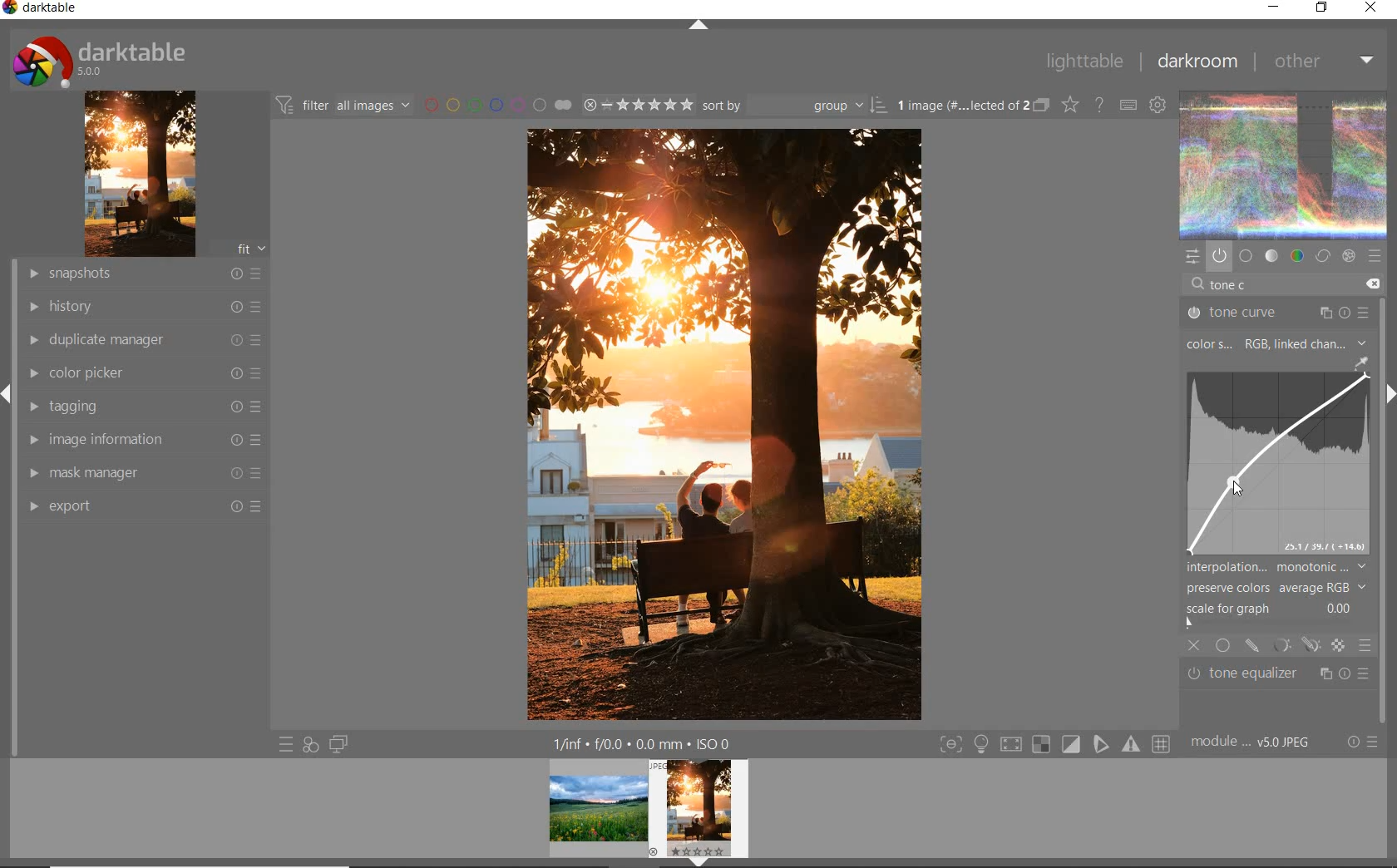  Describe the element at coordinates (139, 273) in the screenshot. I see `snapshots` at that location.